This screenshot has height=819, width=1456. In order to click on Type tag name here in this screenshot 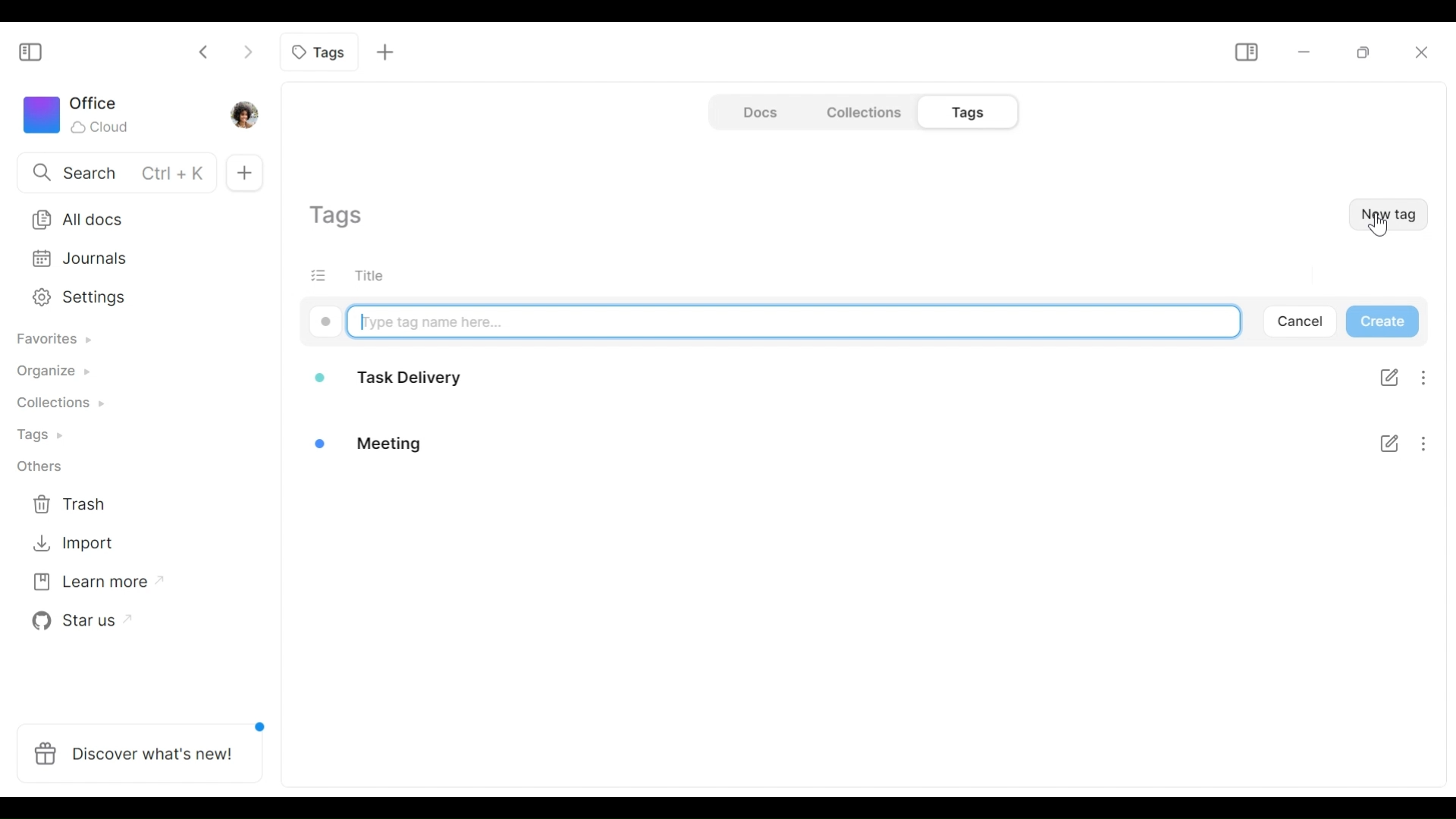, I will do `click(793, 321)`.